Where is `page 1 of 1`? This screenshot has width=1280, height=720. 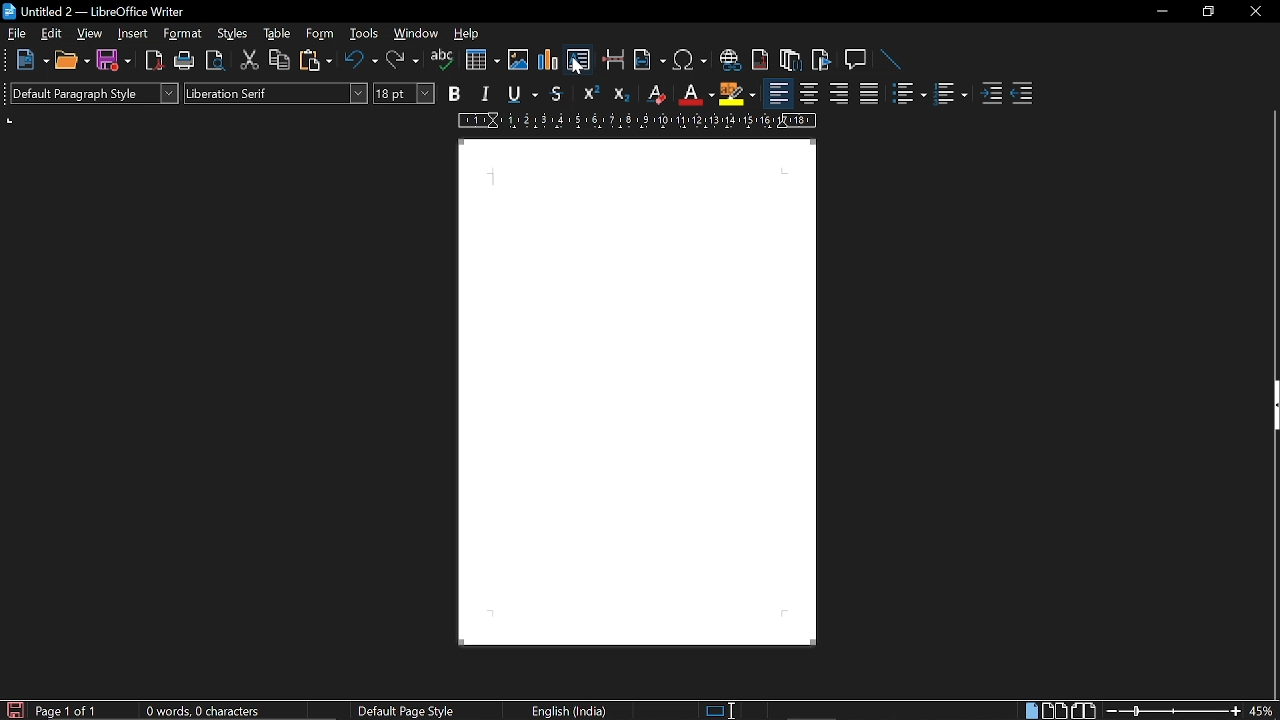
page 1 of 1 is located at coordinates (71, 711).